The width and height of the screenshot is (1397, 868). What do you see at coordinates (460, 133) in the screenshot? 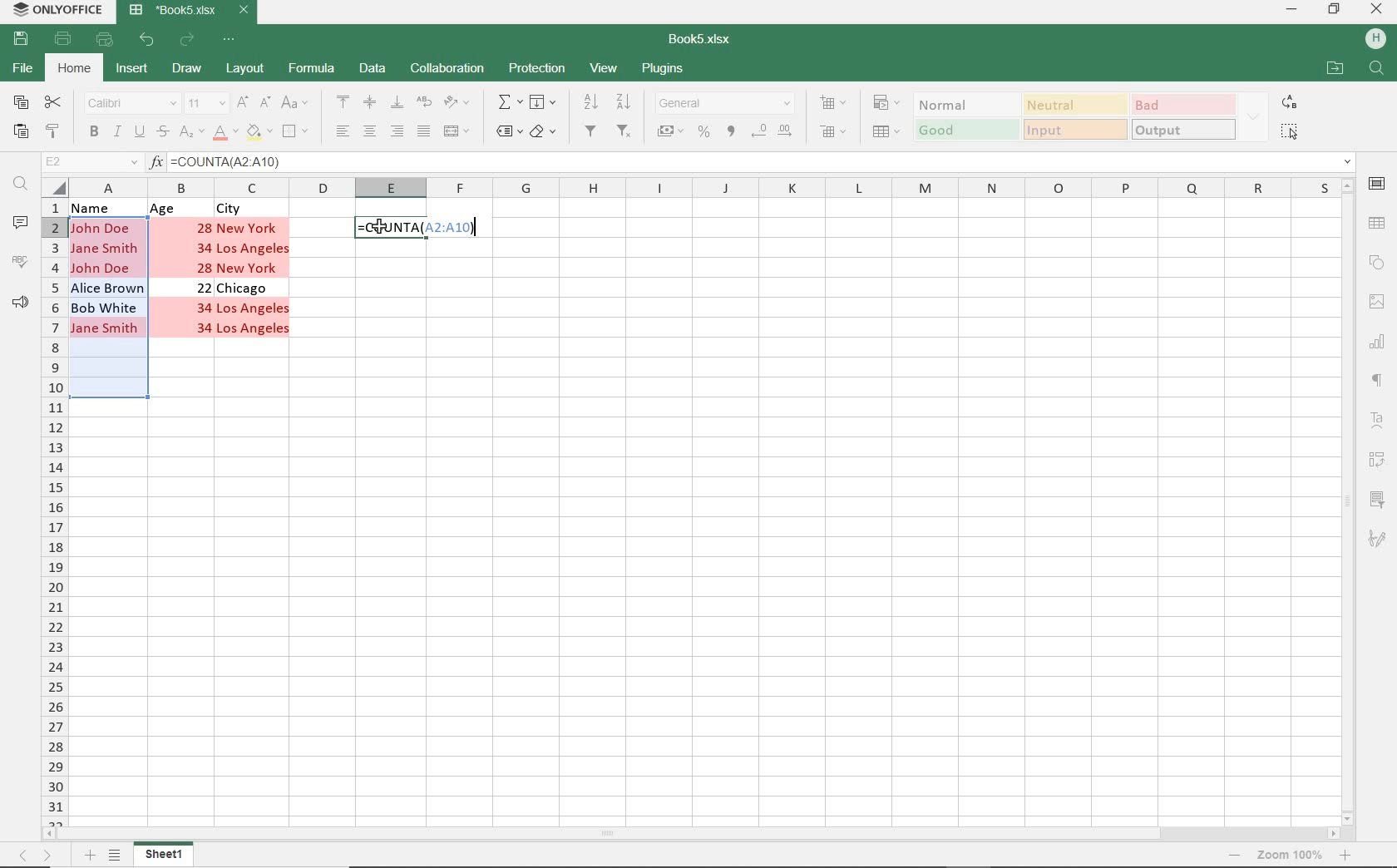
I see `MERGE & CENTER` at bounding box center [460, 133].